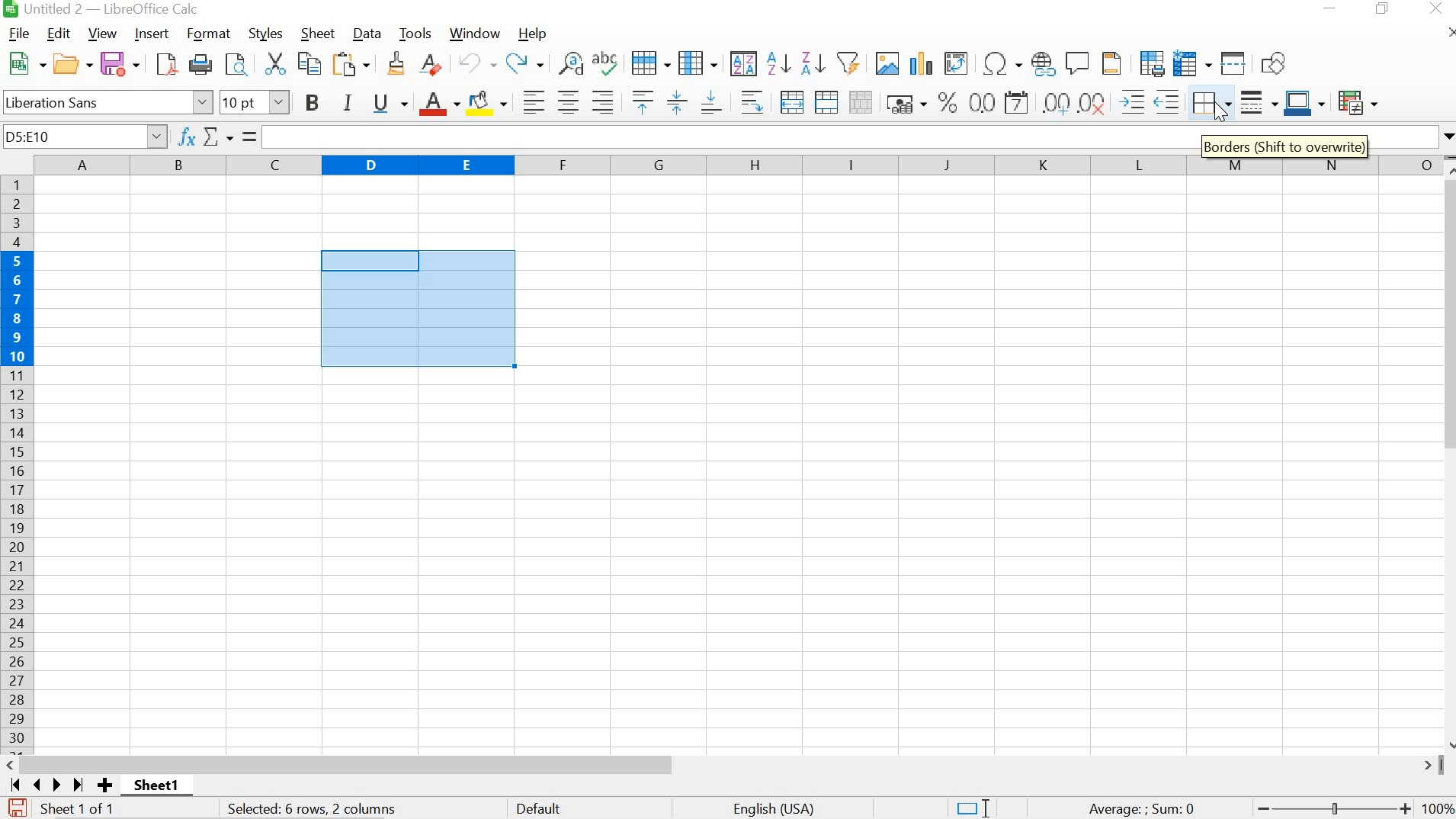 This screenshot has width=1456, height=819. I want to click on TOOLS, so click(416, 34).